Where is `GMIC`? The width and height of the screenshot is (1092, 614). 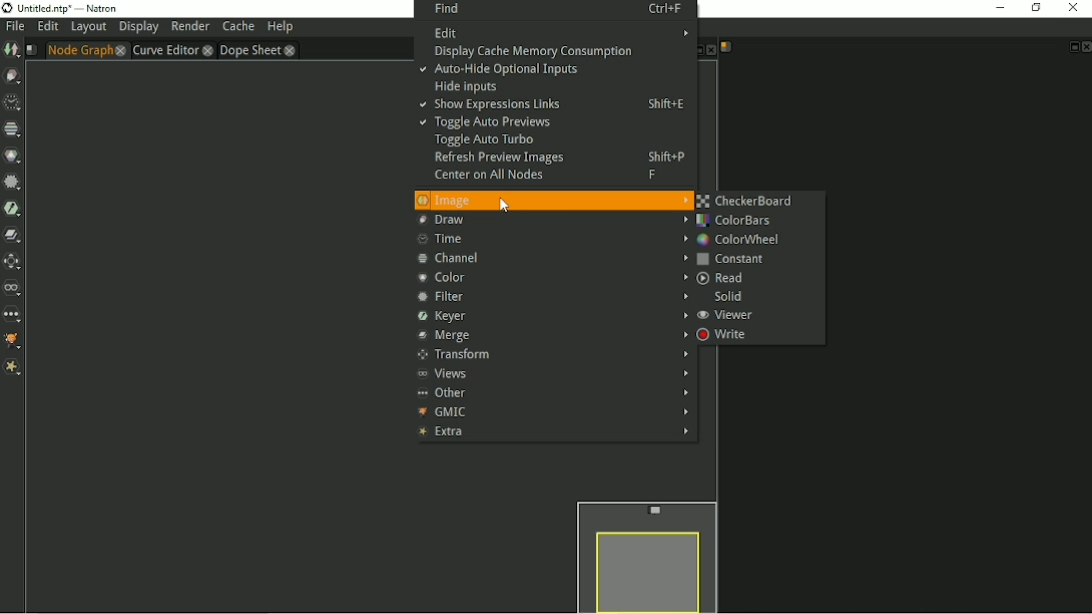 GMIC is located at coordinates (551, 412).